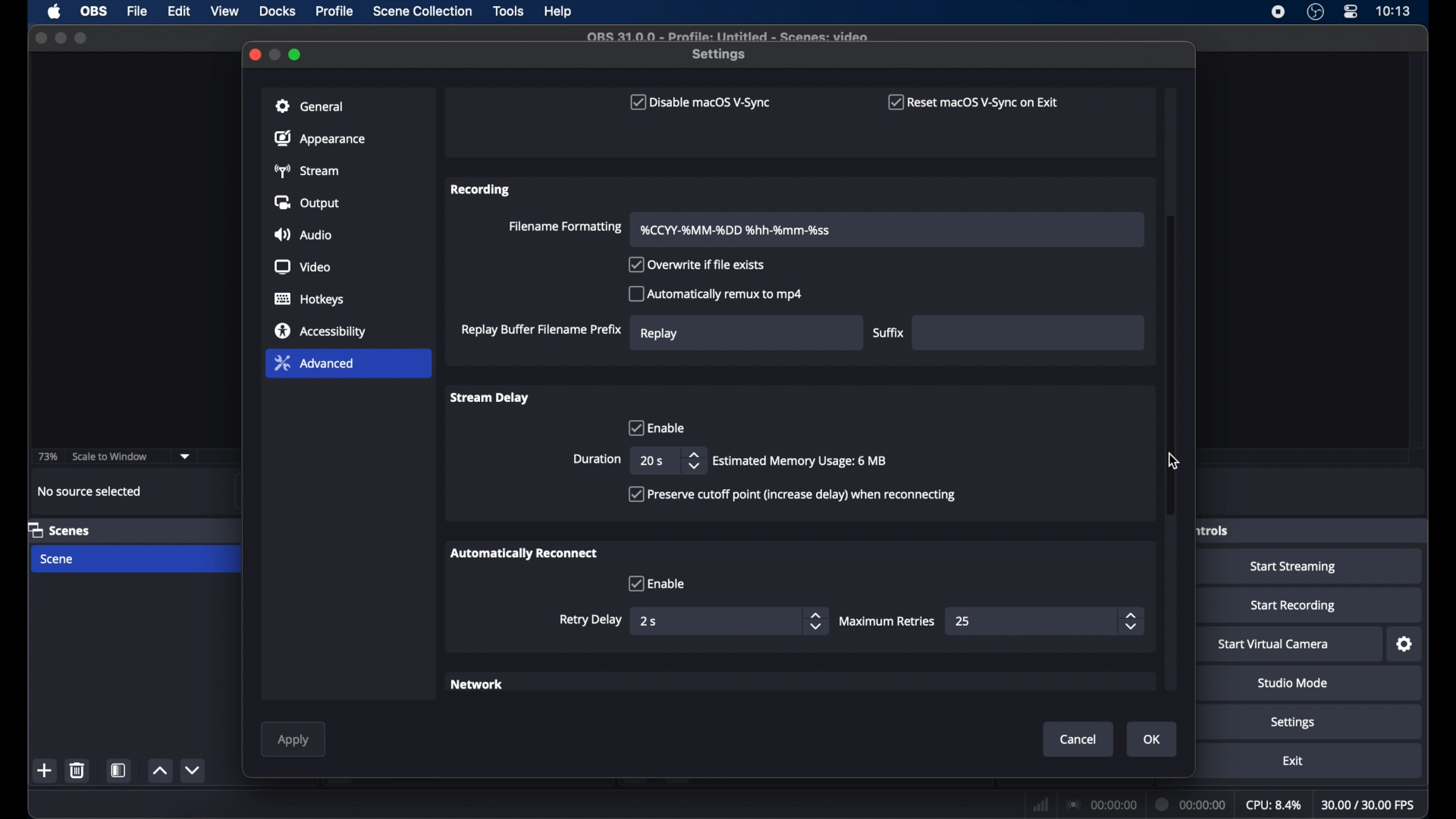 The image size is (1456, 819). Describe the element at coordinates (524, 553) in the screenshot. I see `automatically reconnect` at that location.